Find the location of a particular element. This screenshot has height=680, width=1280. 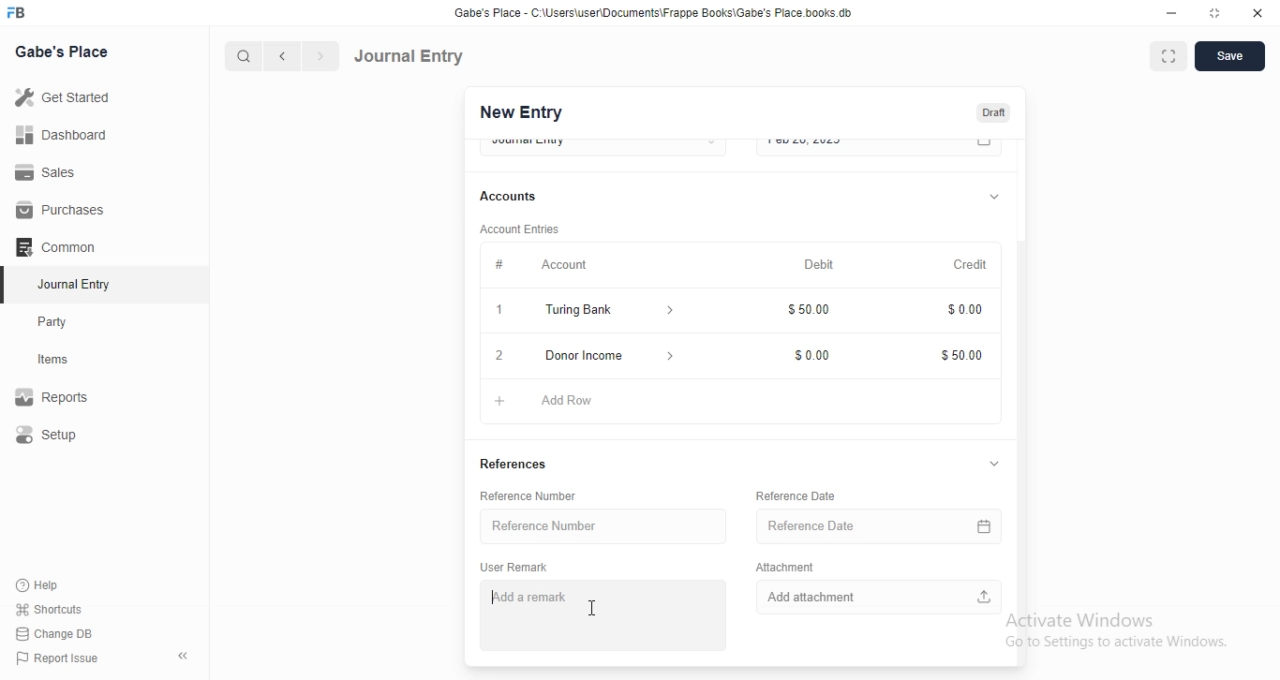

hide is located at coordinates (179, 657).